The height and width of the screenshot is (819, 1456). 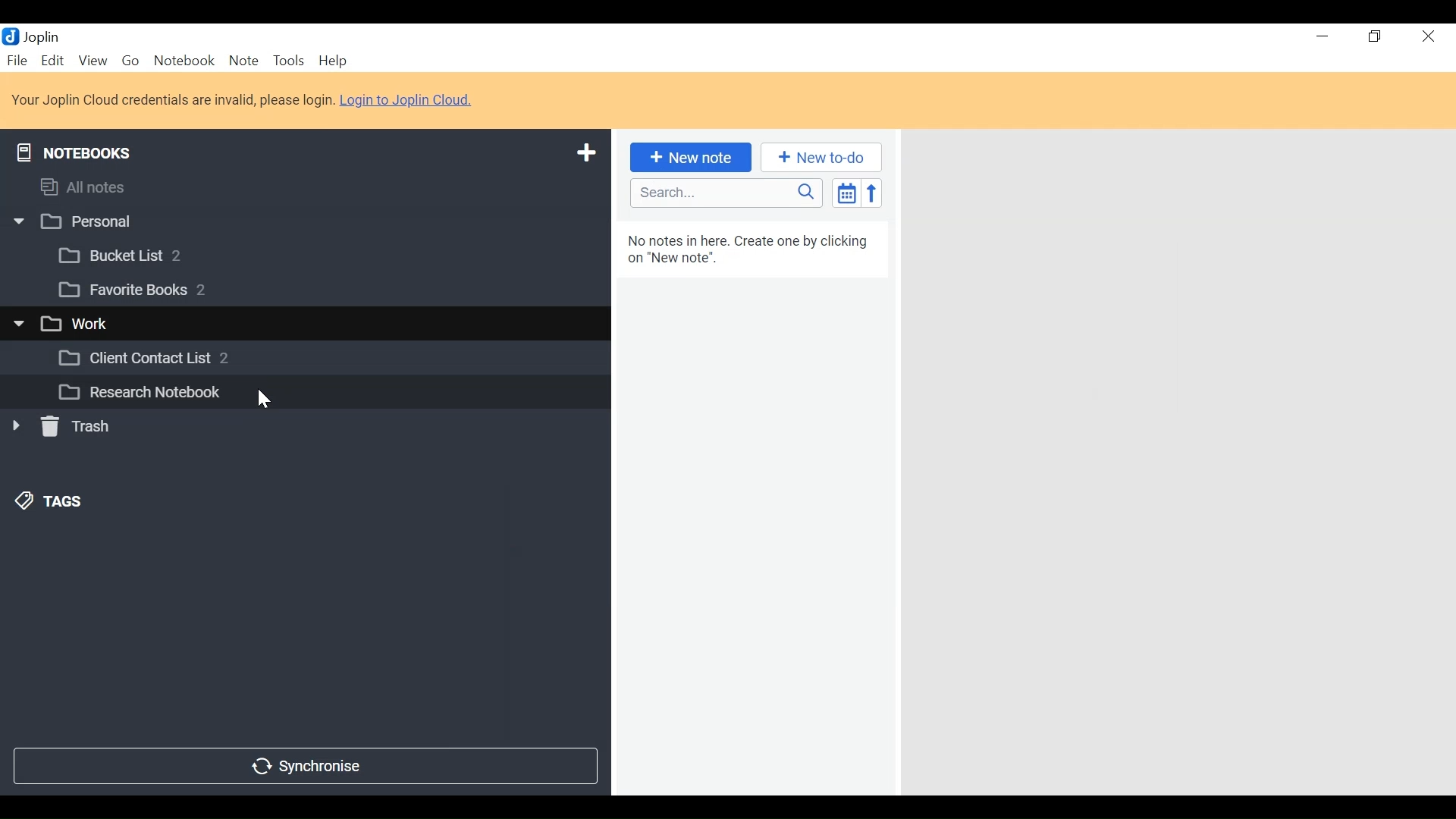 What do you see at coordinates (149, 254) in the screenshot?
I see `[3 Bucket List 2` at bounding box center [149, 254].